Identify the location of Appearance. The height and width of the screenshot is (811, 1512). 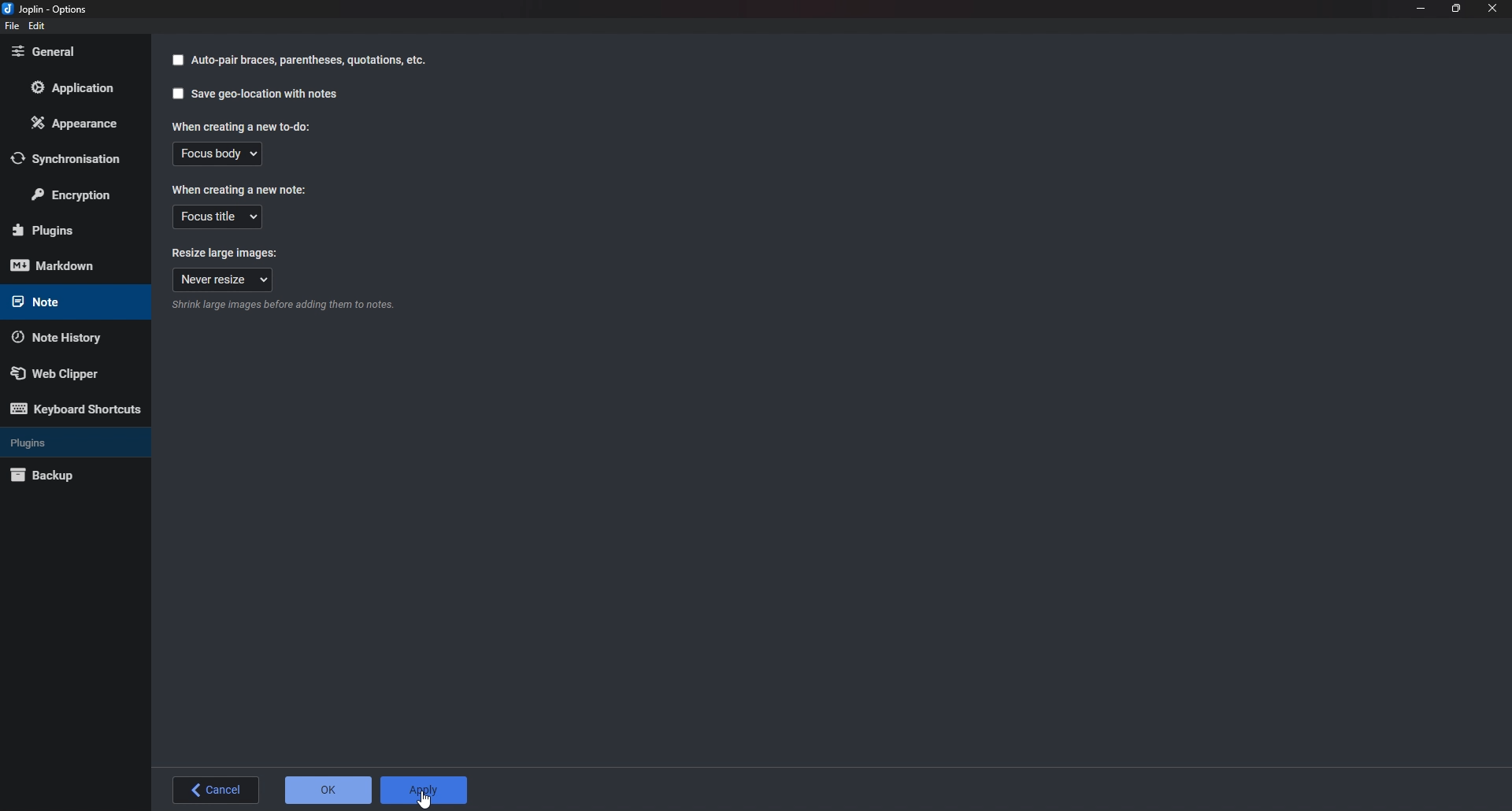
(76, 126).